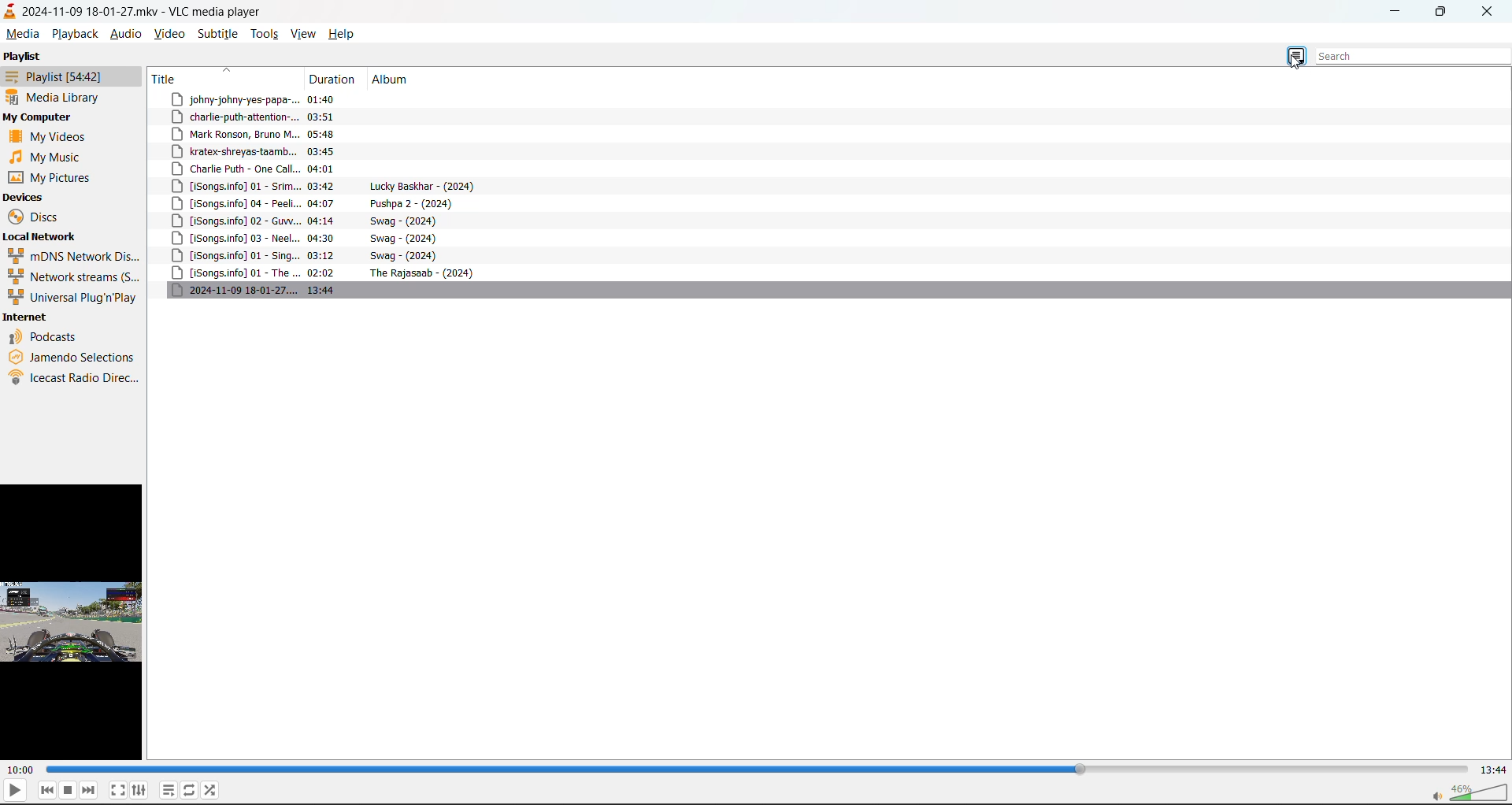 This screenshot has width=1512, height=805. What do you see at coordinates (20, 770) in the screenshot?
I see `current track time` at bounding box center [20, 770].